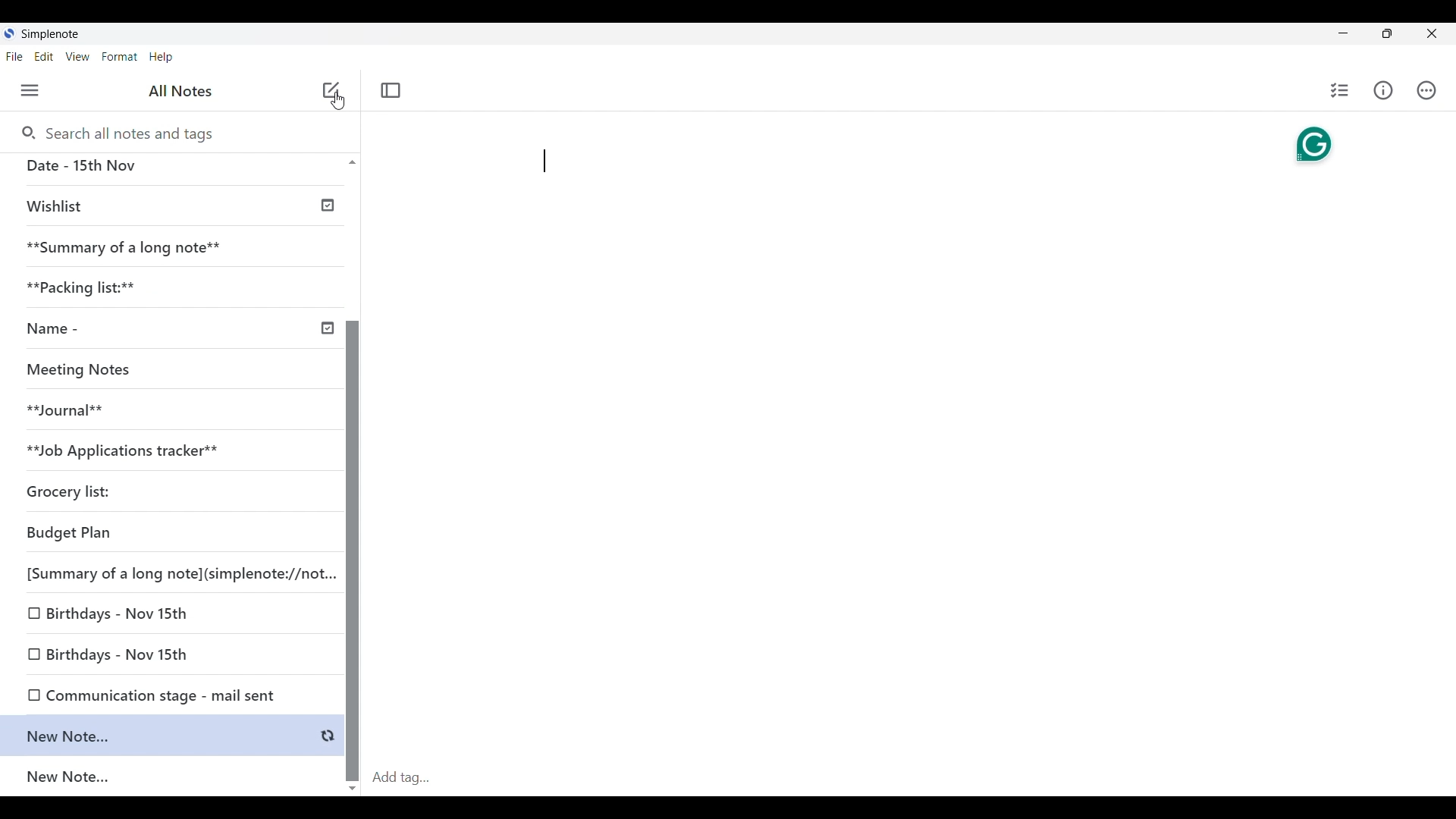 This screenshot has height=819, width=1456. I want to click on **Packing list:**, so click(174, 285).